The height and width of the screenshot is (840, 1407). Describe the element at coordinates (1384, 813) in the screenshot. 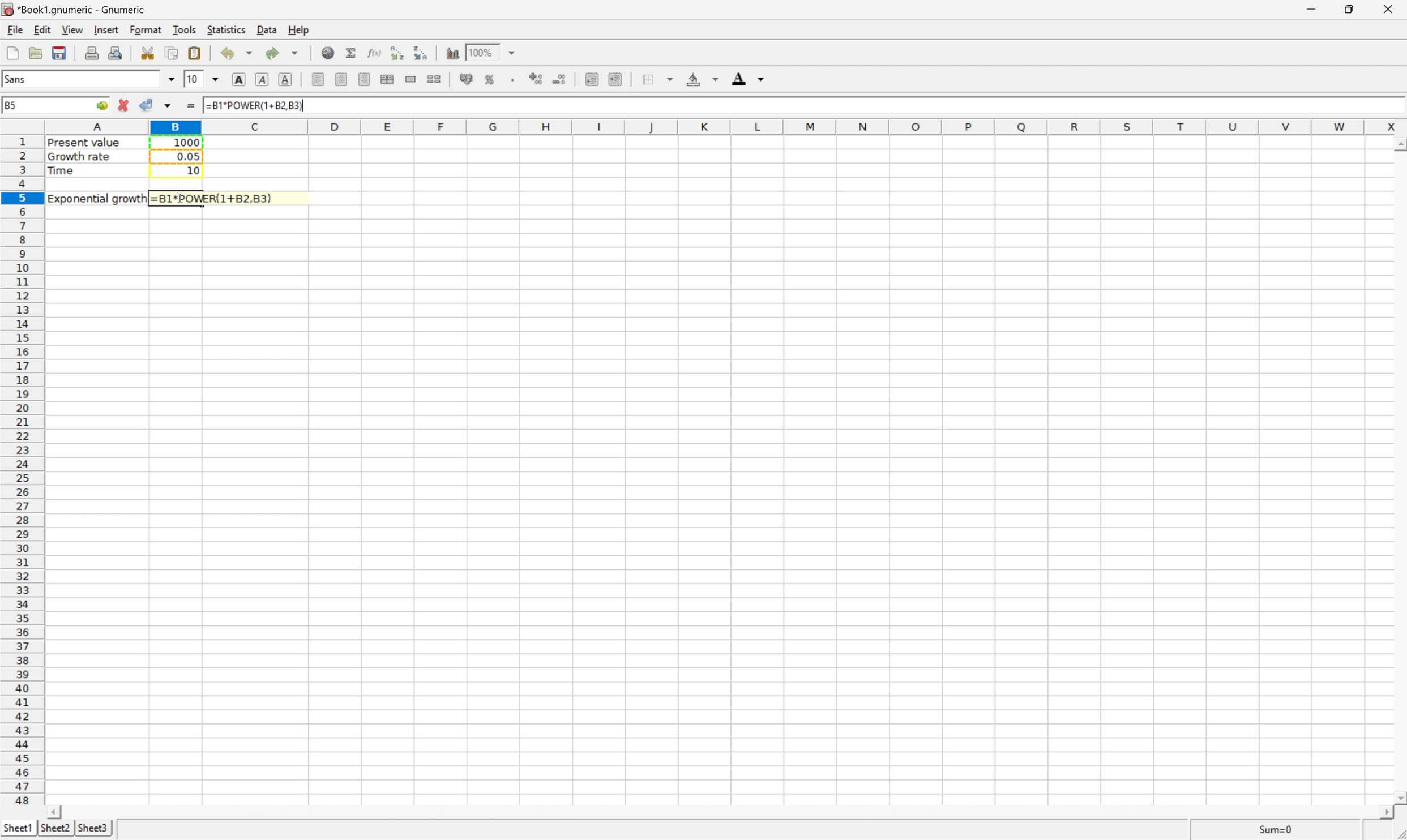

I see `Scroll Right` at that location.